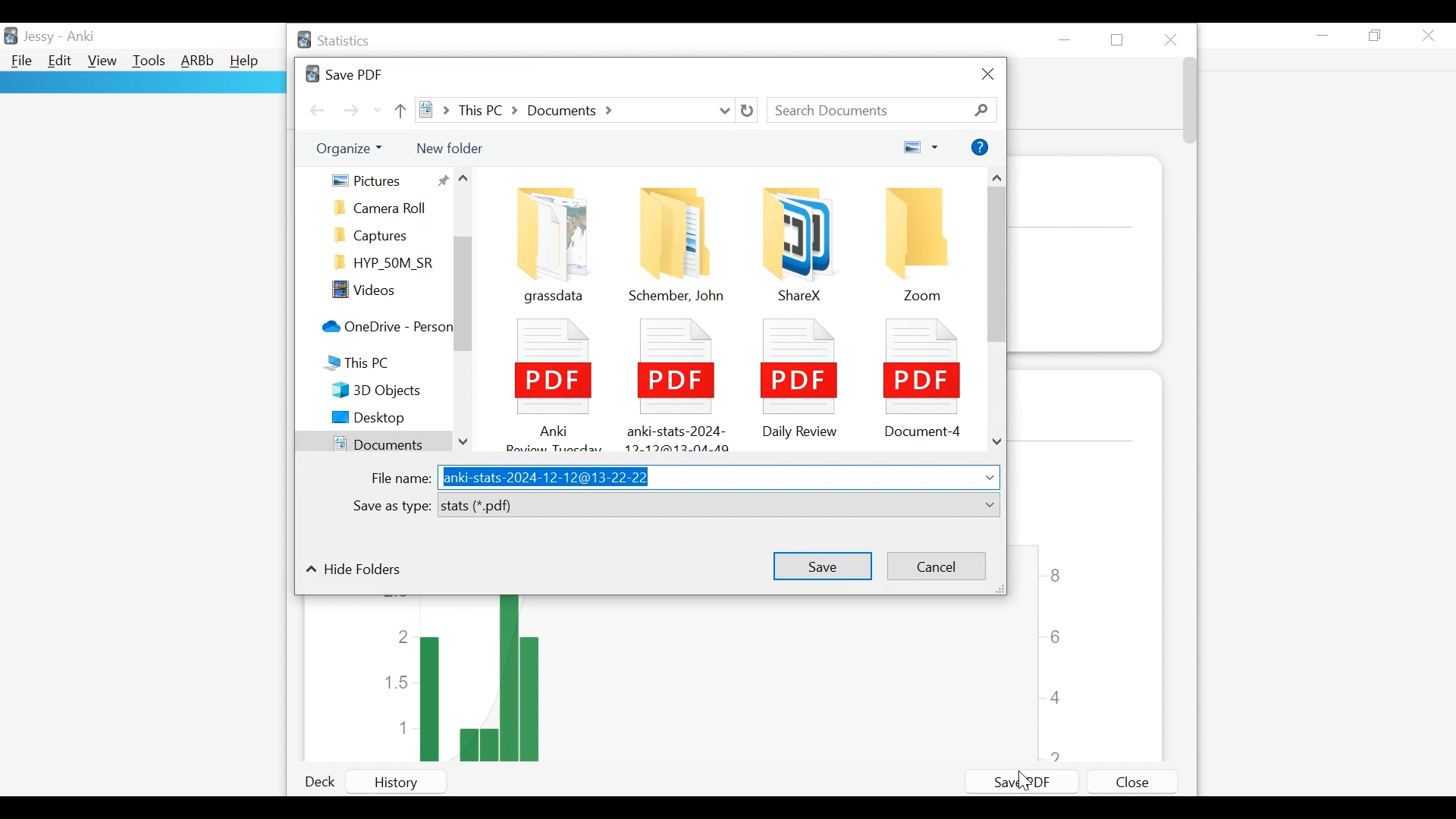 The image size is (1456, 819). Describe the element at coordinates (465, 438) in the screenshot. I see `scroll down` at that location.